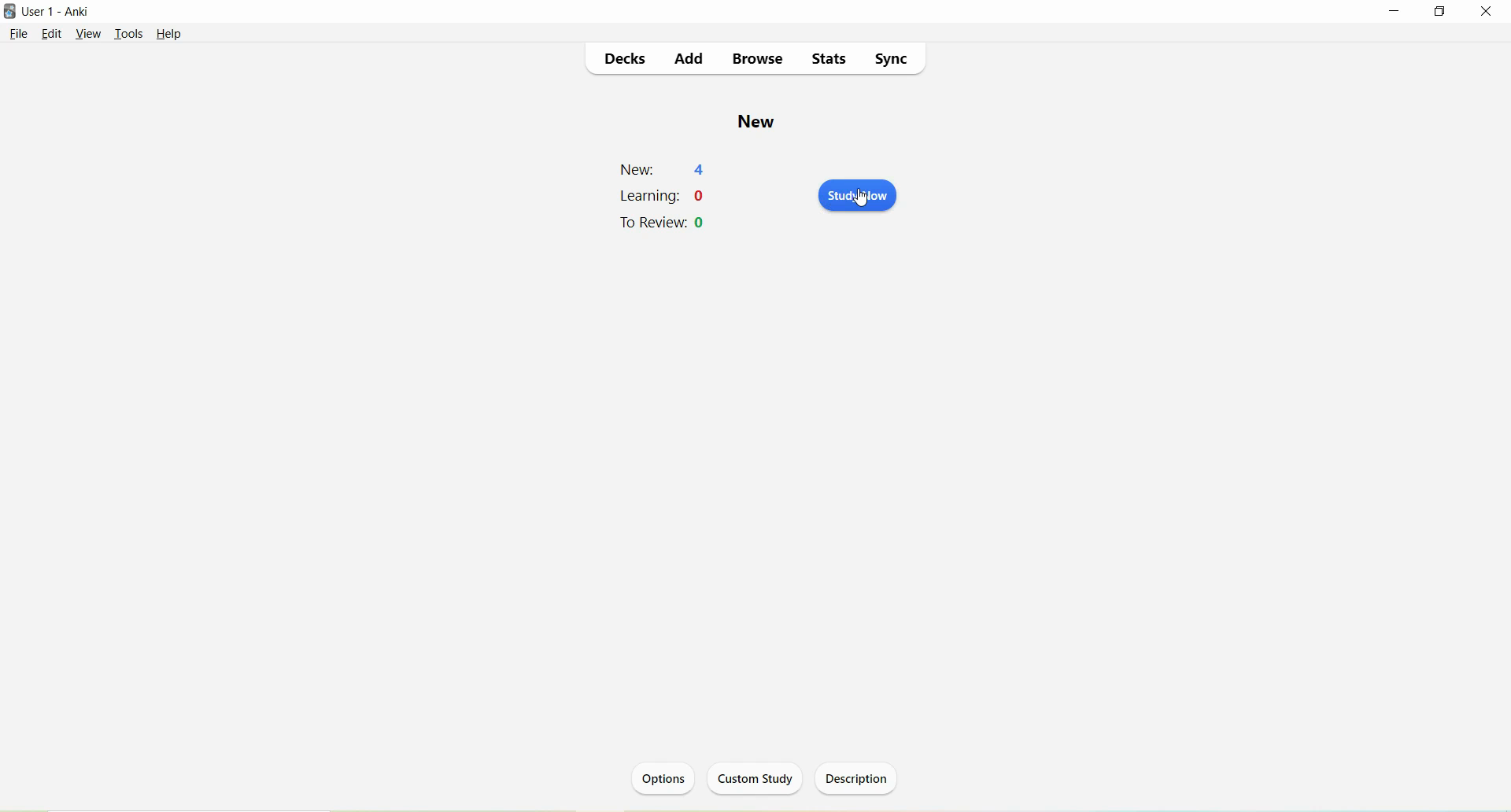  I want to click on Browse, so click(759, 60).